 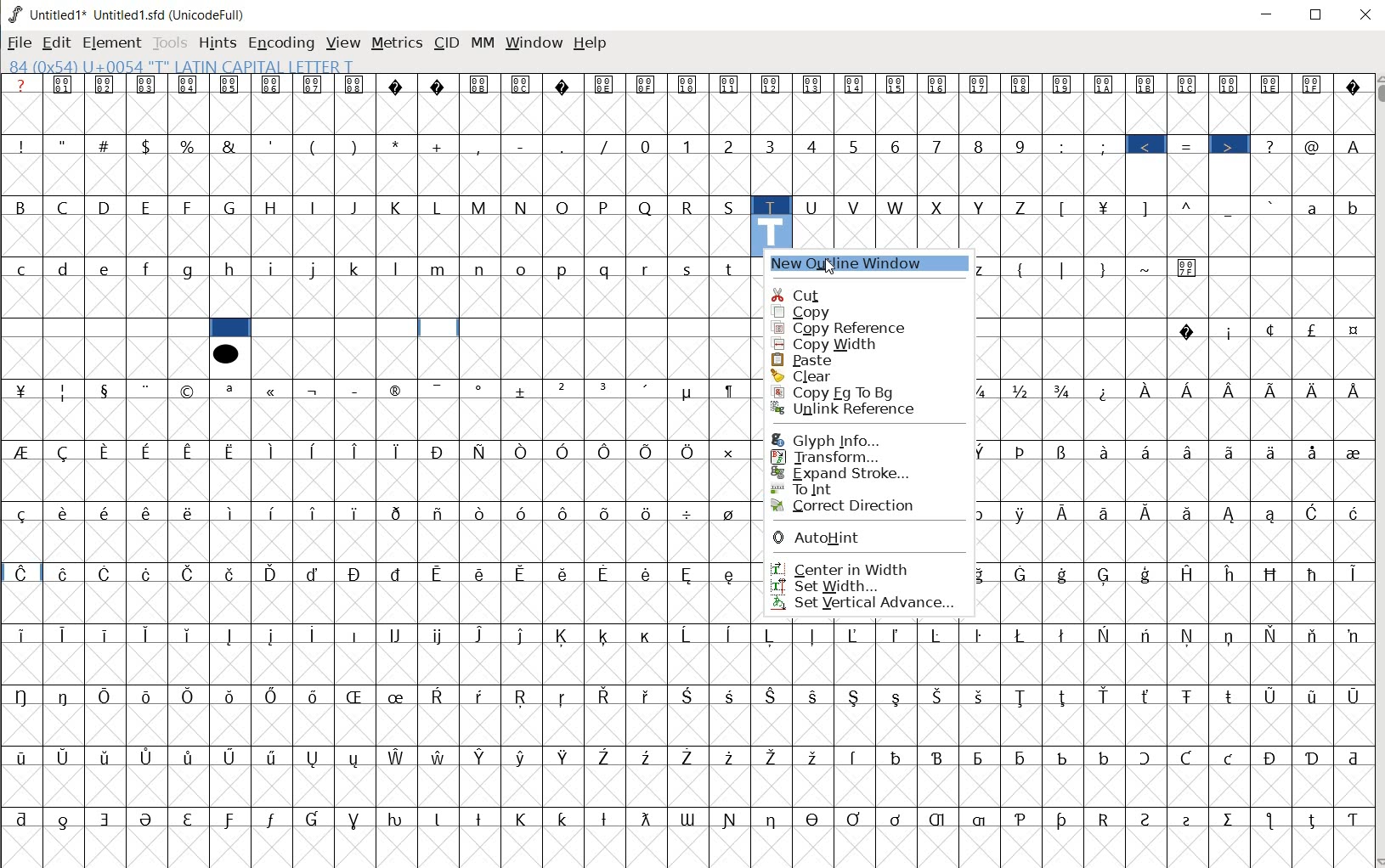 What do you see at coordinates (523, 84) in the screenshot?
I see `Symbol` at bounding box center [523, 84].